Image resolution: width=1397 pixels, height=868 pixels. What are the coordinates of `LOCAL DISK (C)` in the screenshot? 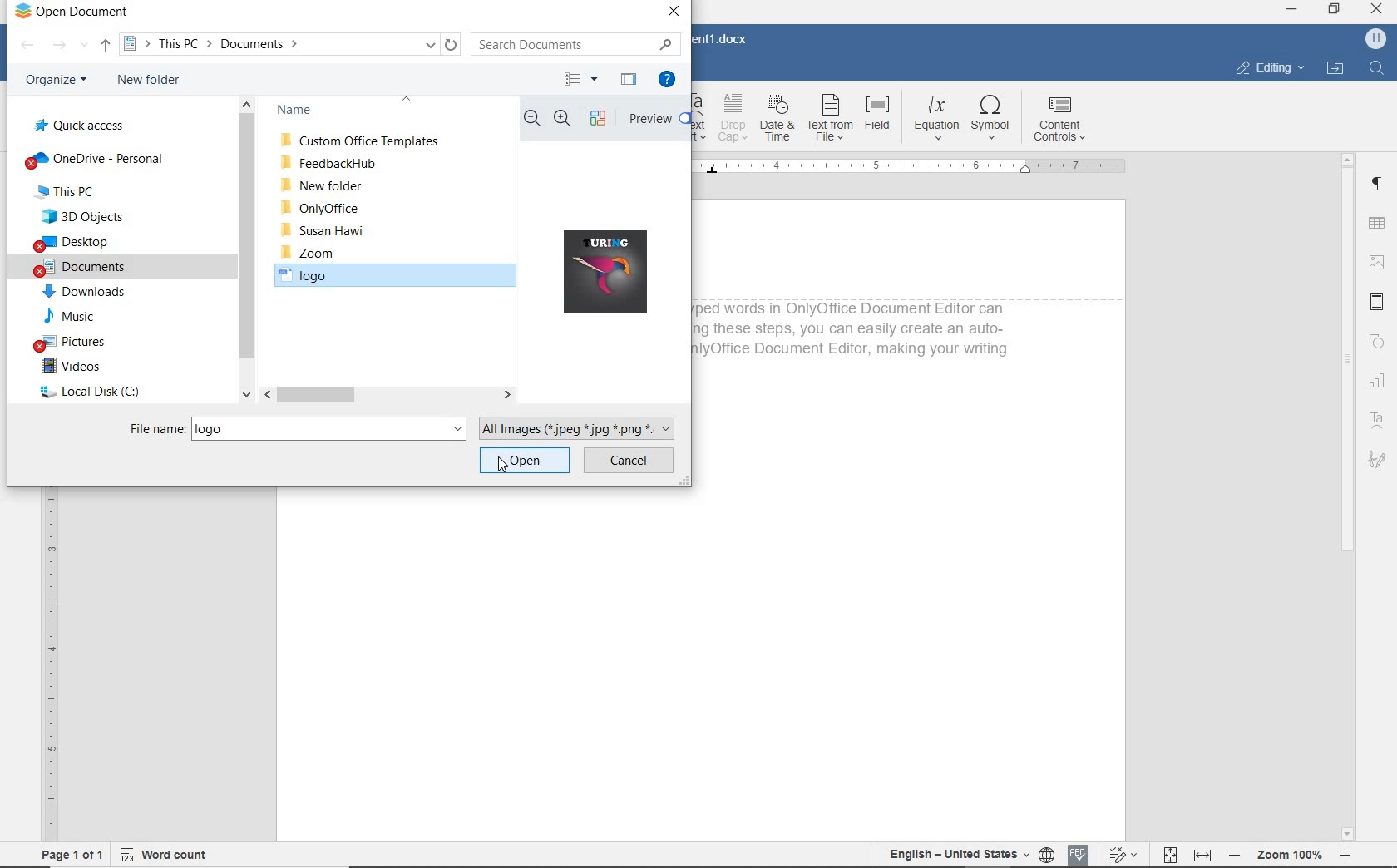 It's located at (88, 394).